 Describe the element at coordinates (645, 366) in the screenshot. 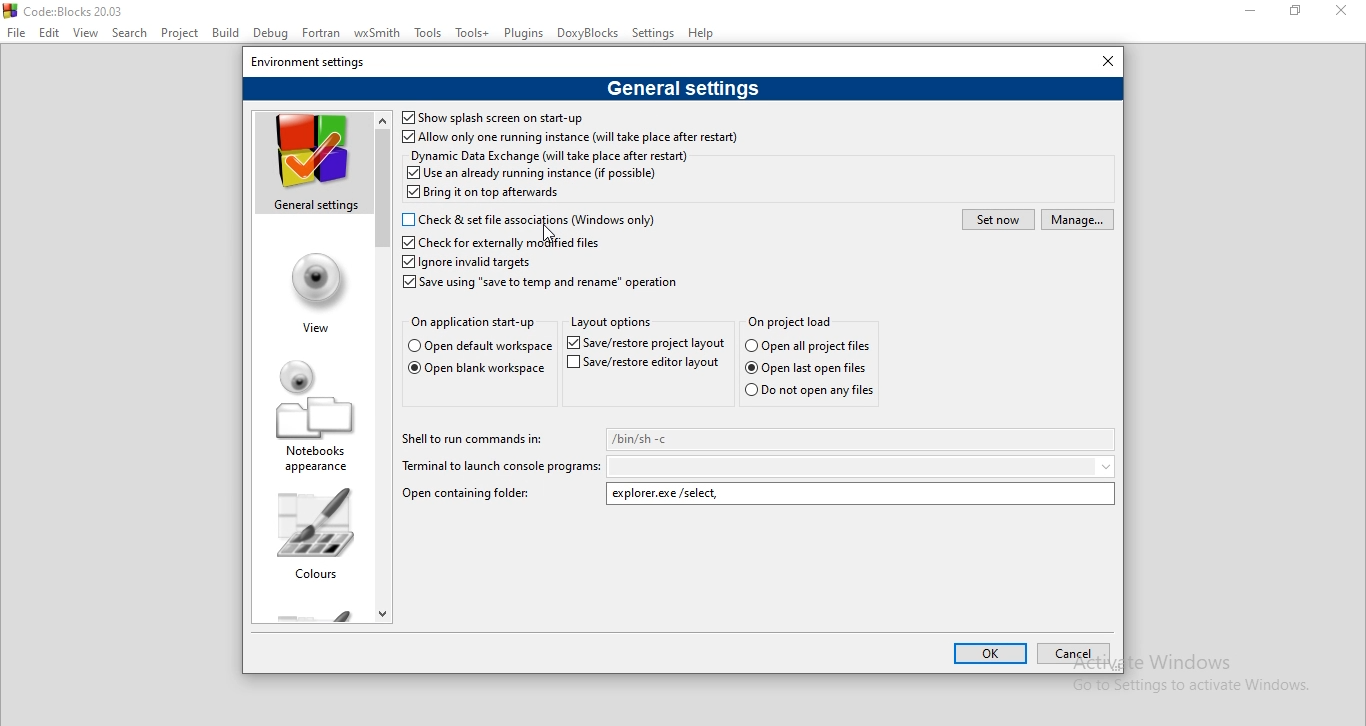

I see `Save/restore editor layout` at that location.